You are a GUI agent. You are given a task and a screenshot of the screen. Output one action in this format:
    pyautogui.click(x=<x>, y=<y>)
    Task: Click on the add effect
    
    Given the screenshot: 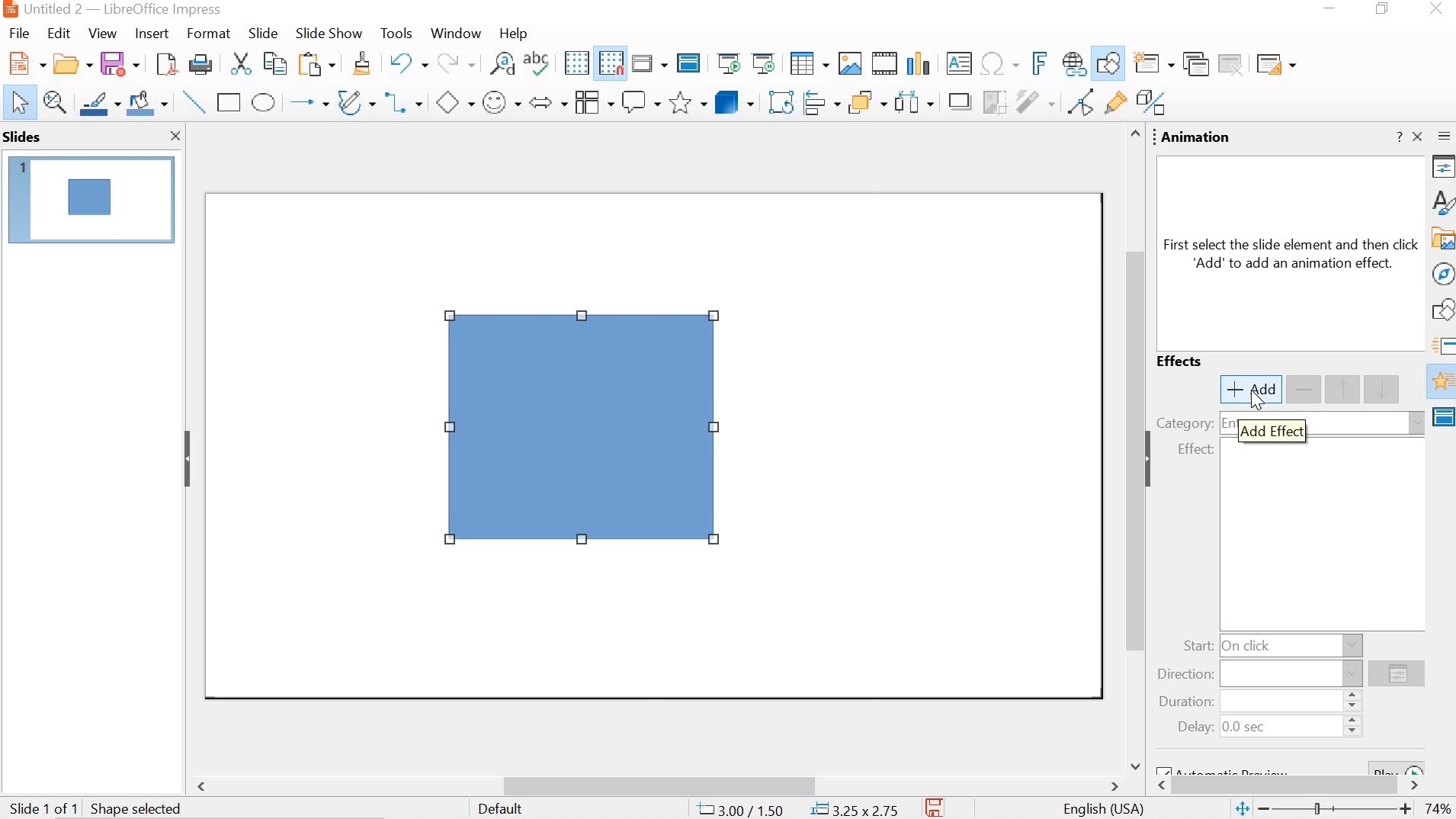 What is the action you would take?
    pyautogui.click(x=1250, y=389)
    